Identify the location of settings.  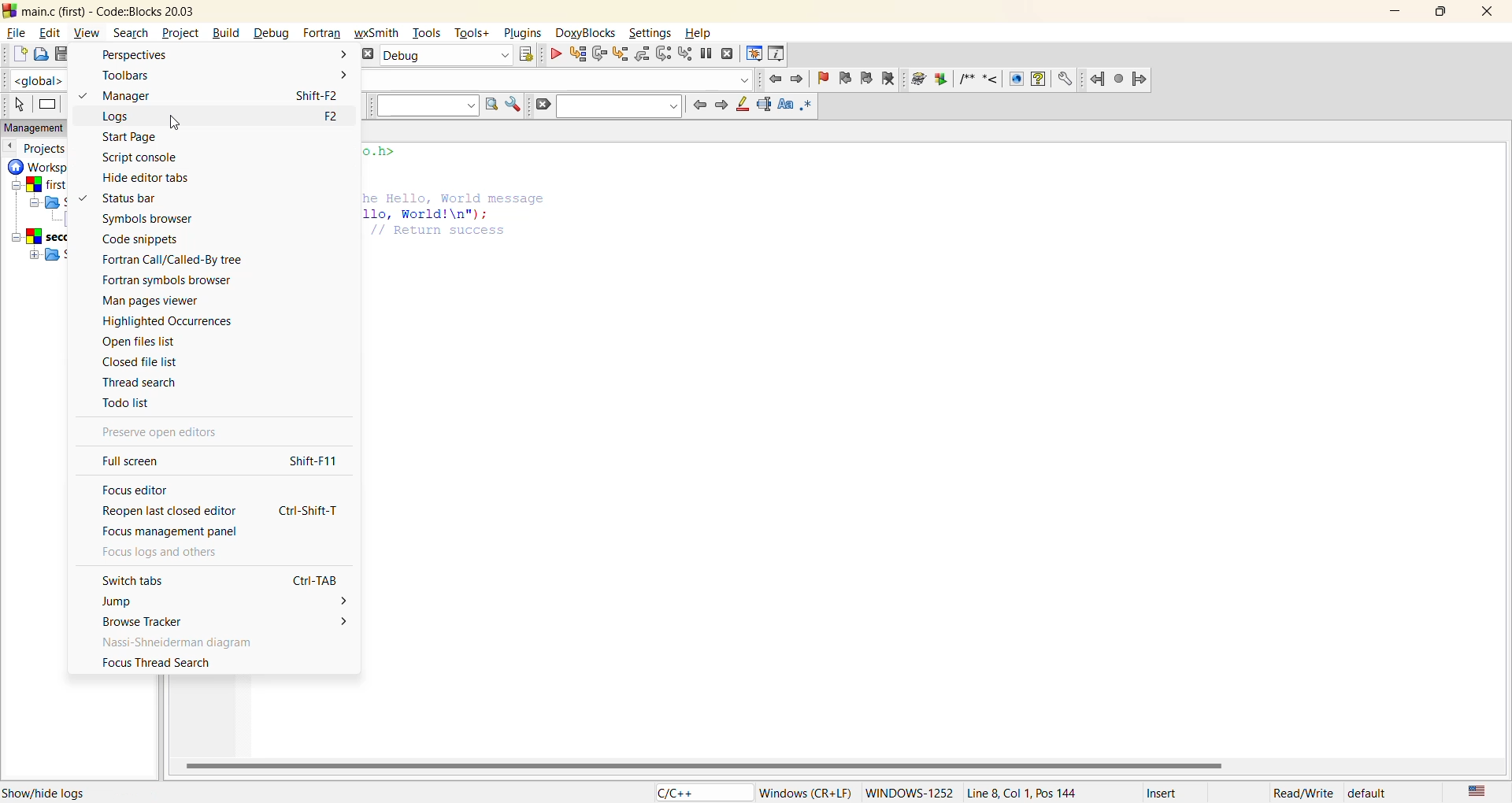
(651, 33).